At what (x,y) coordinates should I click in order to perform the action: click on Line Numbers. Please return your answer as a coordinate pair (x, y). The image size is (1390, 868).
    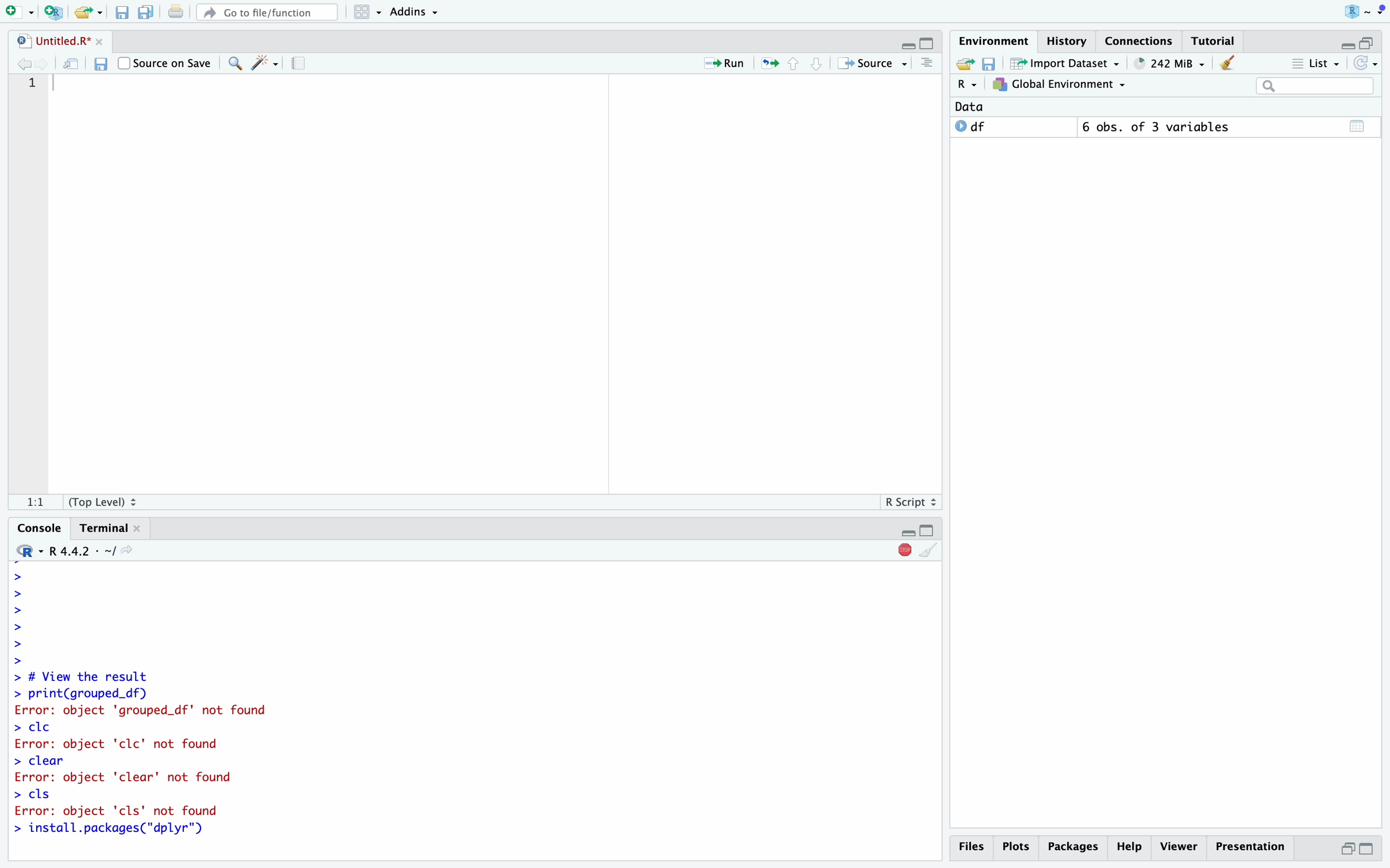
    Looking at the image, I should click on (29, 95).